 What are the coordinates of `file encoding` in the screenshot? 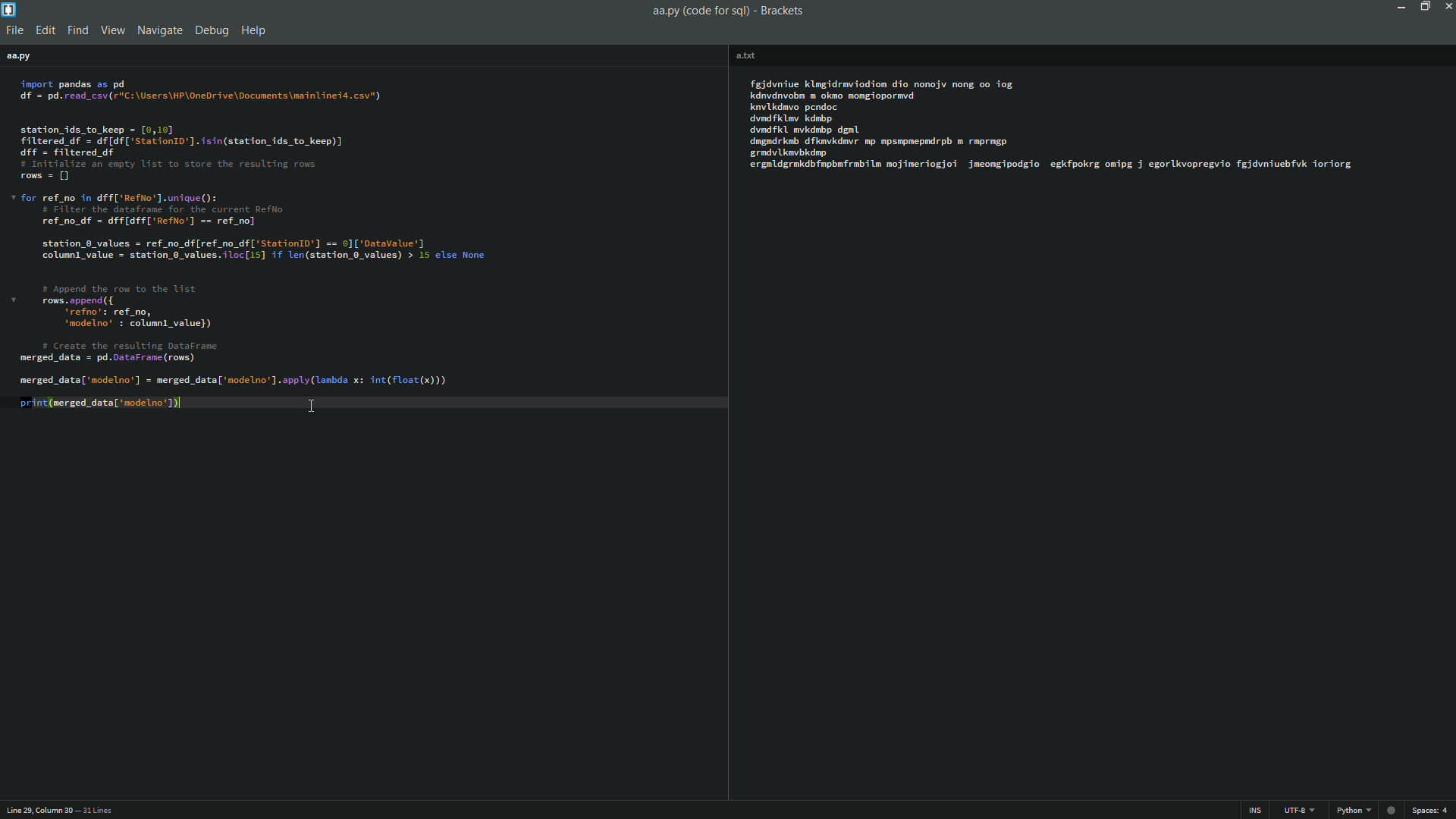 It's located at (1295, 809).